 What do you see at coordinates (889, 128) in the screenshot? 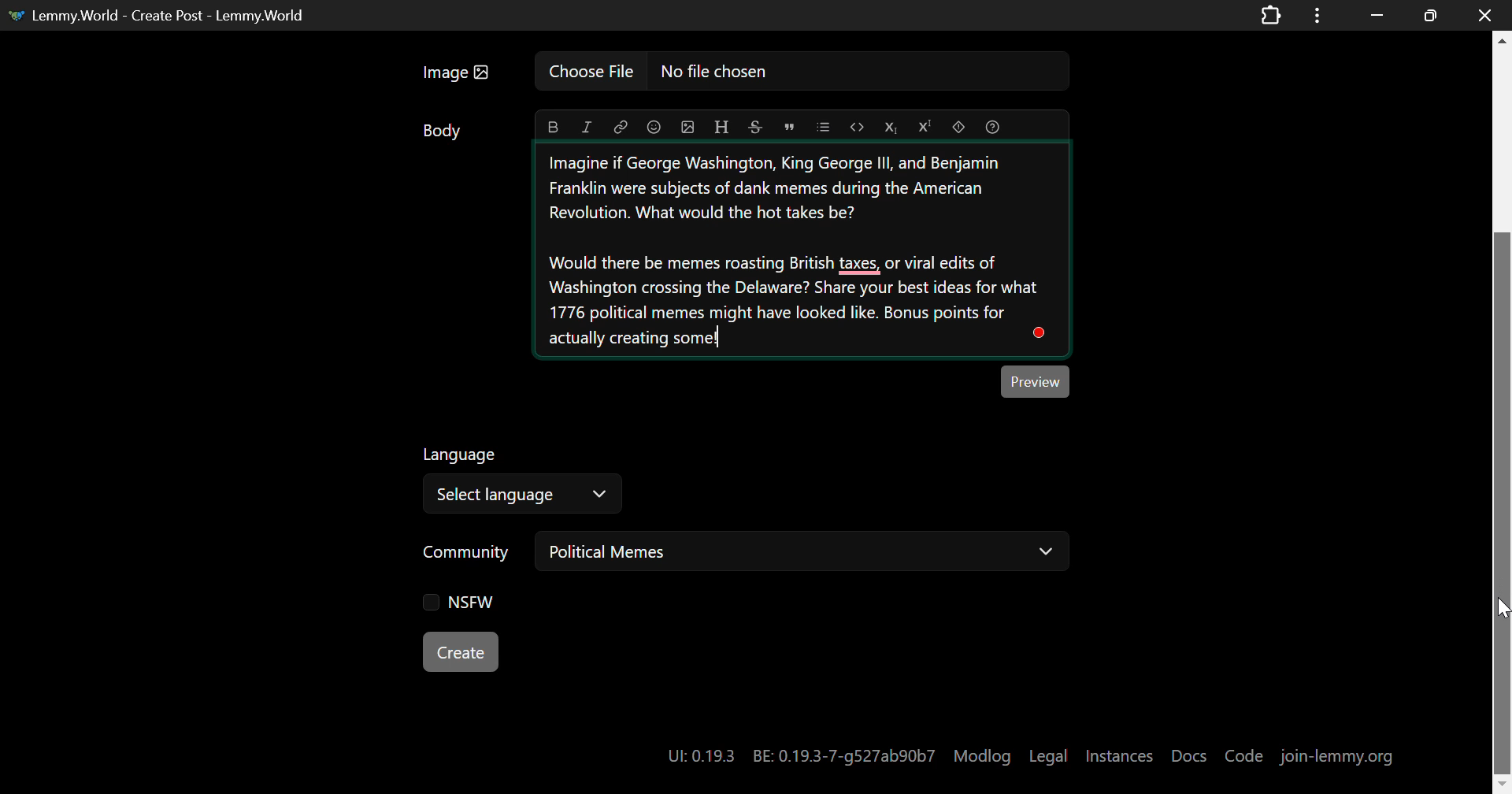
I see `Subscript` at bounding box center [889, 128].